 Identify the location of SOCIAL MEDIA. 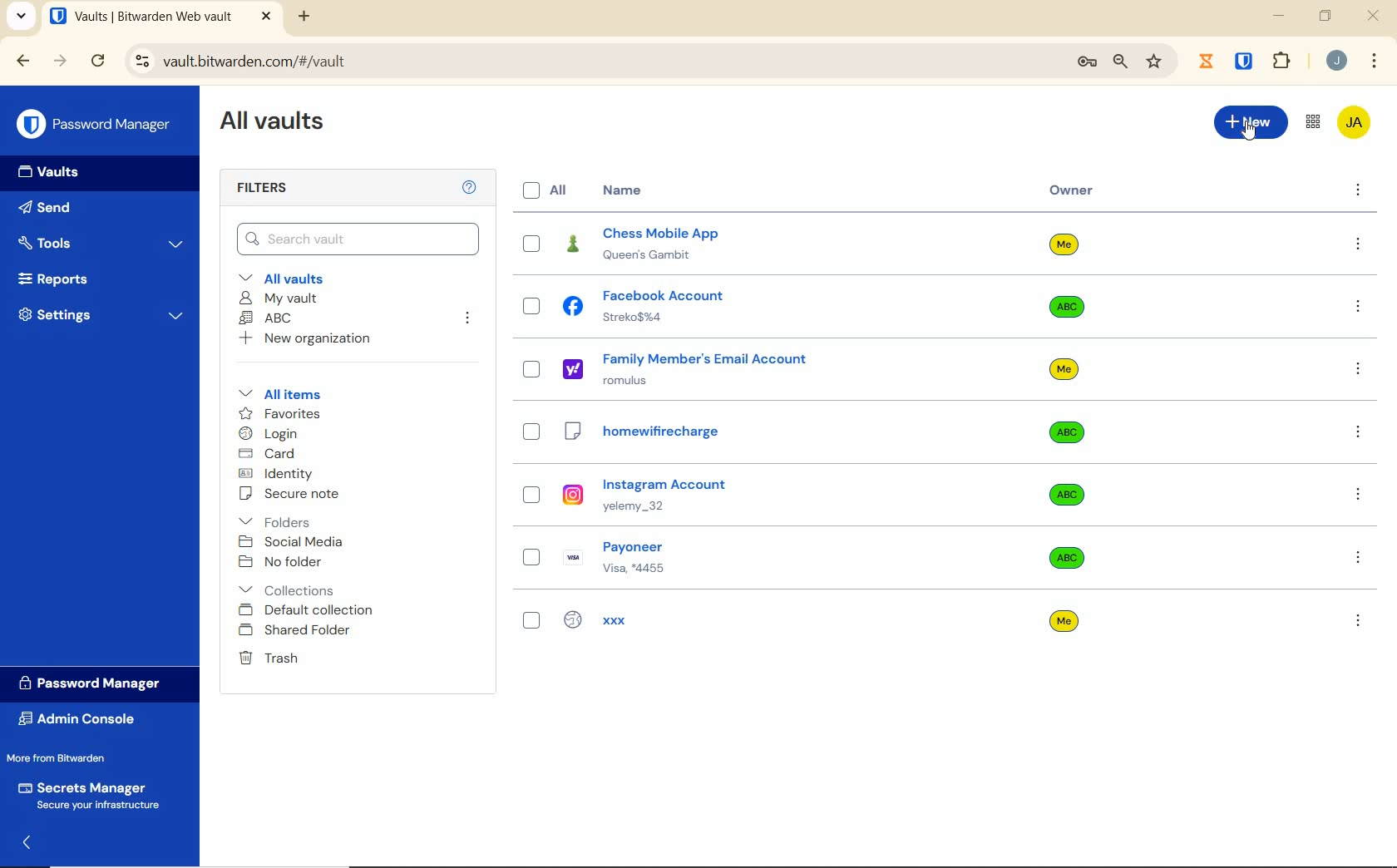
(294, 542).